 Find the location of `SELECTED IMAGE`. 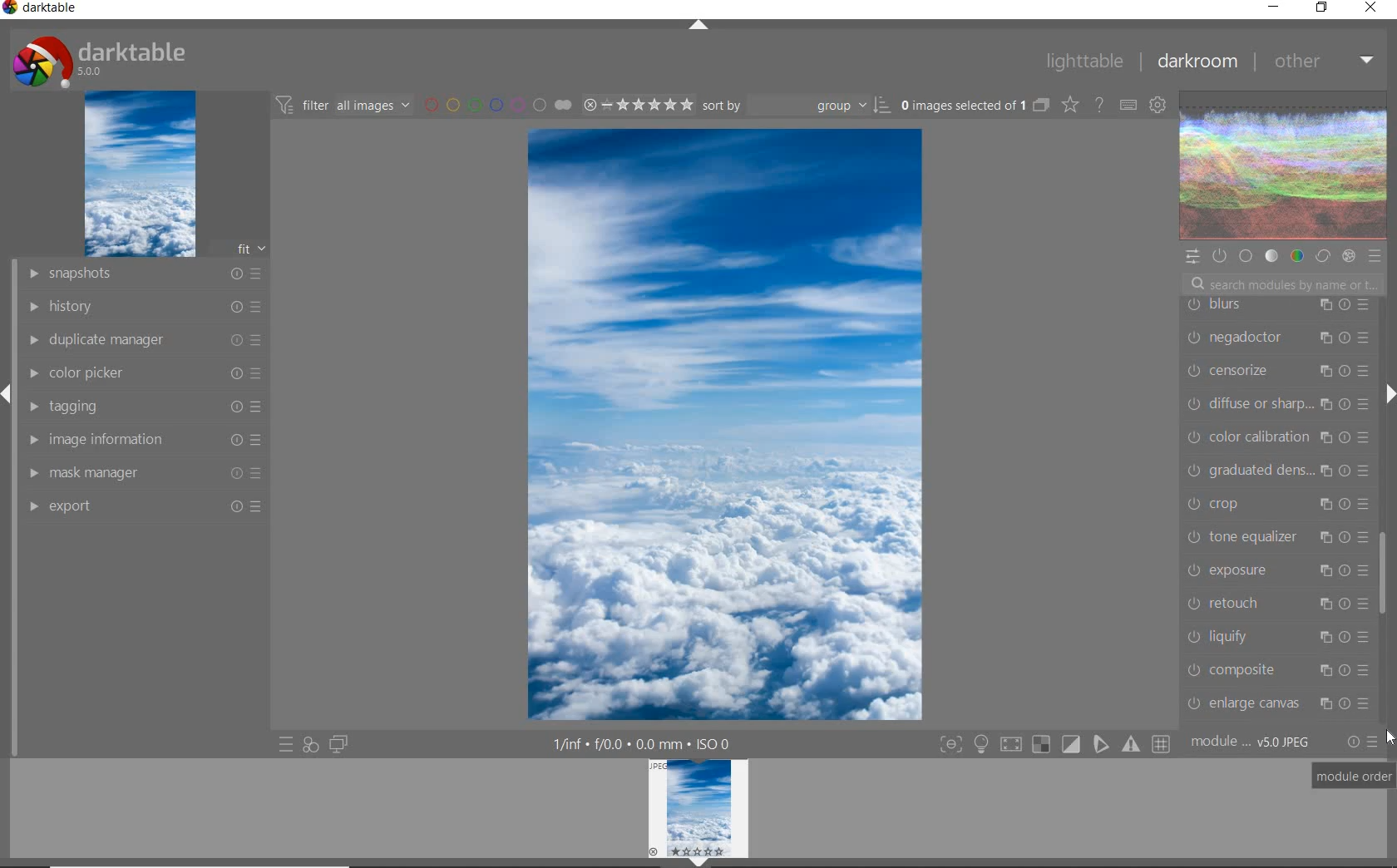

SELECTED IMAGE is located at coordinates (725, 424).